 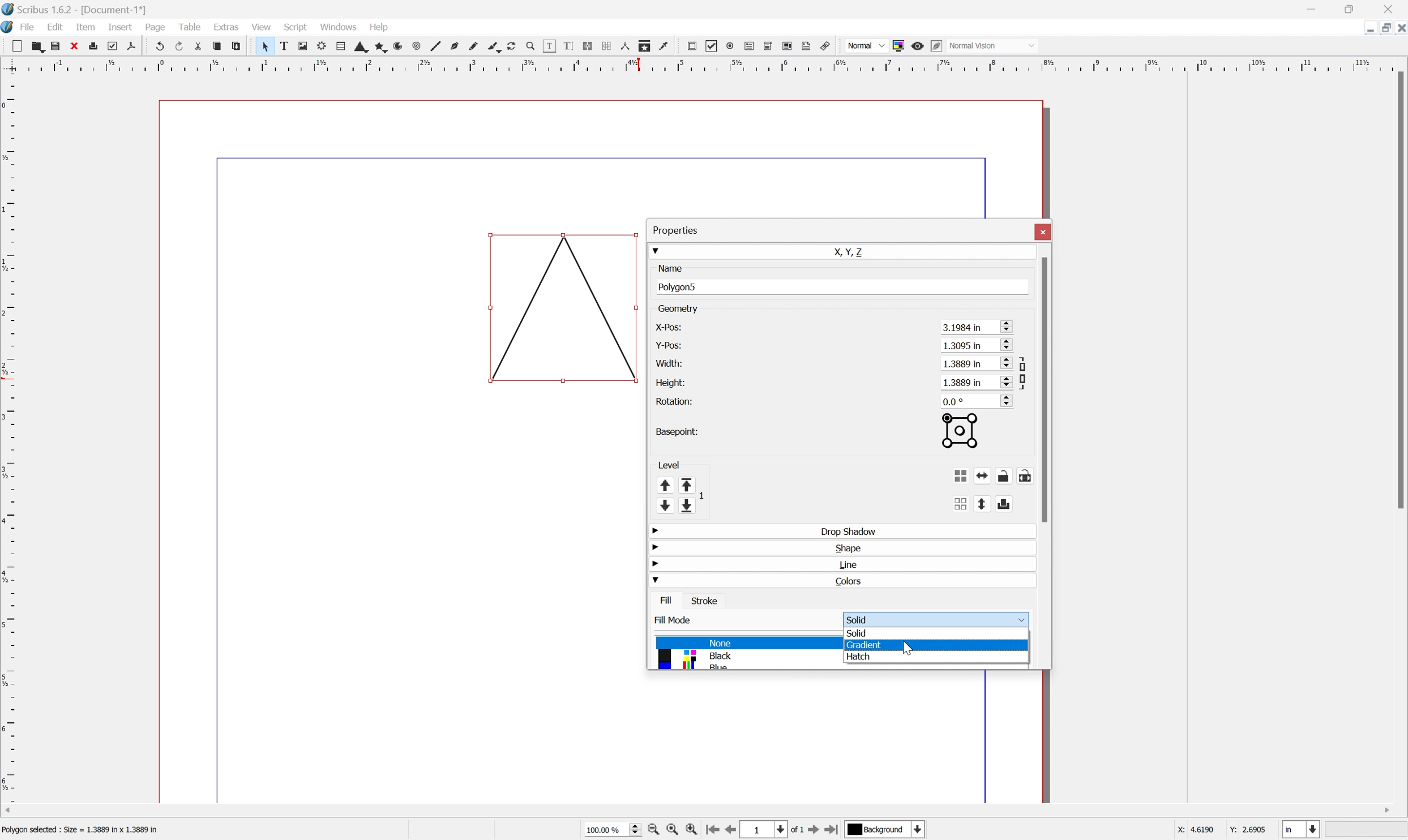 I want to click on Lock or unlock the size of the object, so click(x=1040, y=474).